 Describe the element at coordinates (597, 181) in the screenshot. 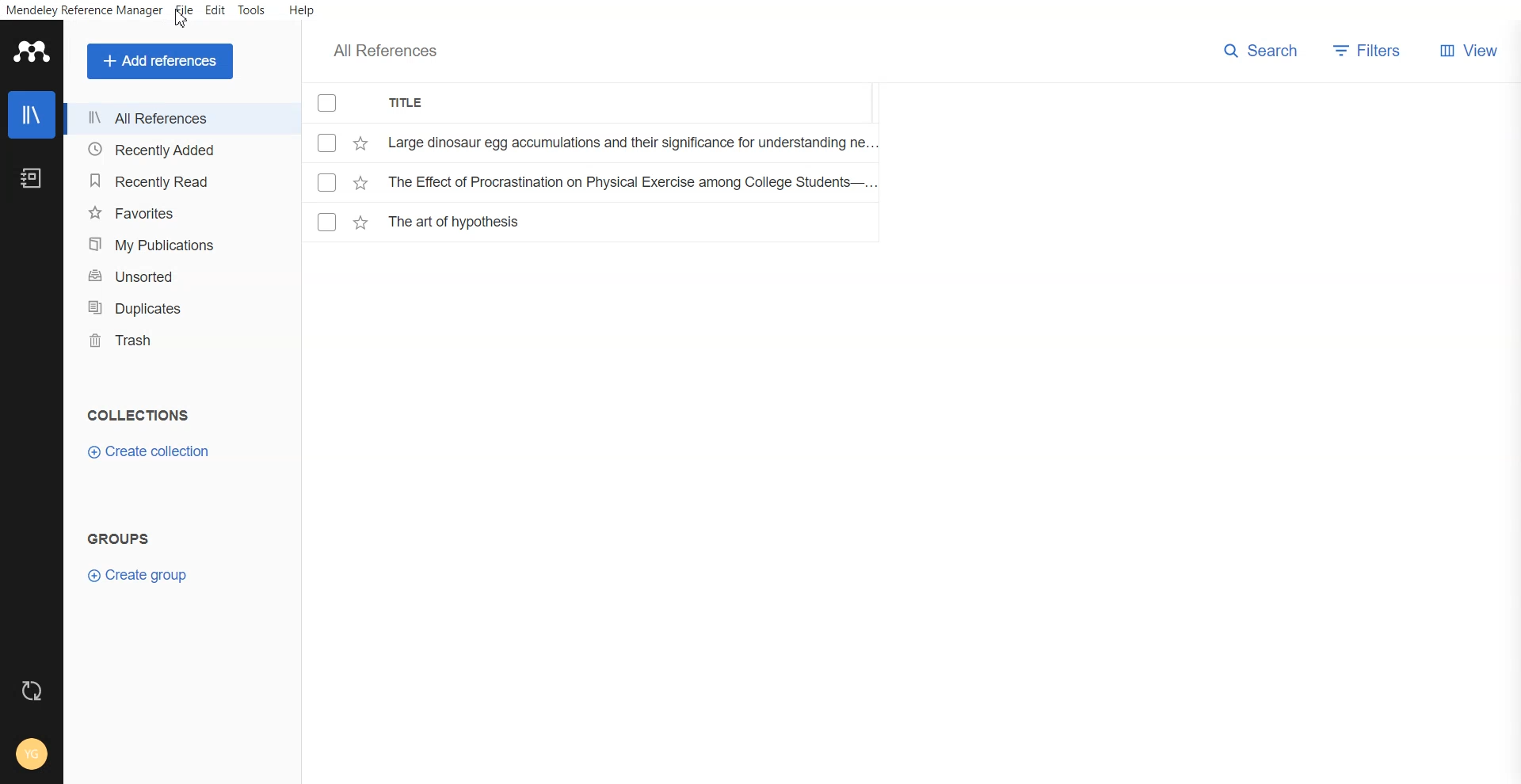

I see `File` at that location.